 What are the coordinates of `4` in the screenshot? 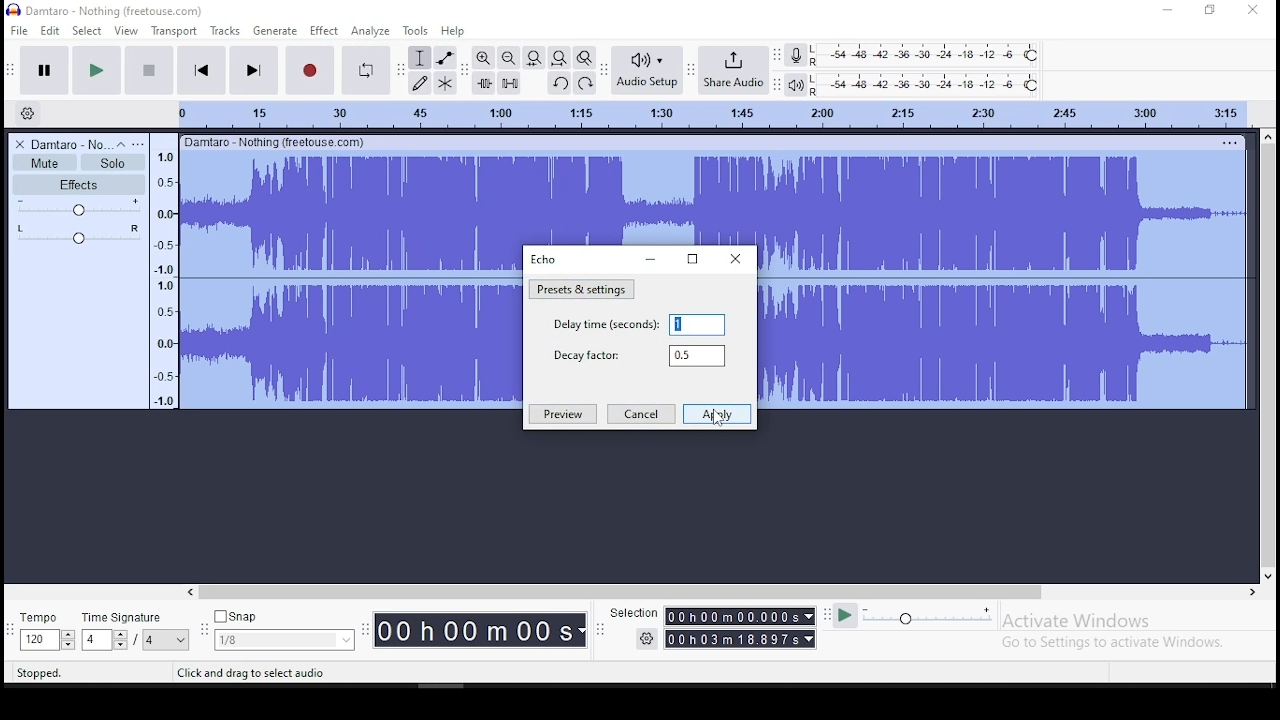 It's located at (95, 640).